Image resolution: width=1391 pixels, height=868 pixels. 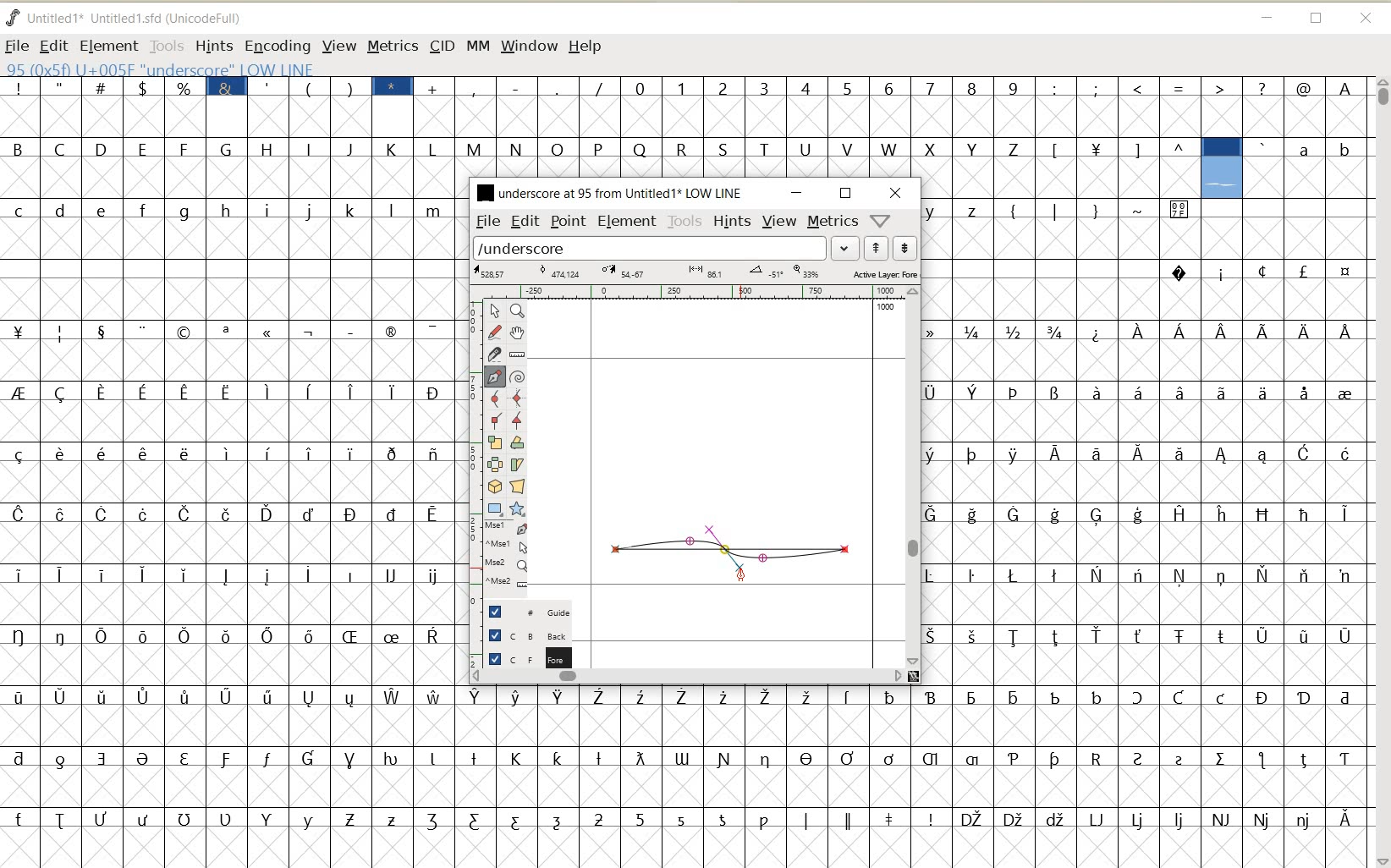 What do you see at coordinates (494, 486) in the screenshot?
I see `rotate the selection in 3D and project back to plane` at bounding box center [494, 486].